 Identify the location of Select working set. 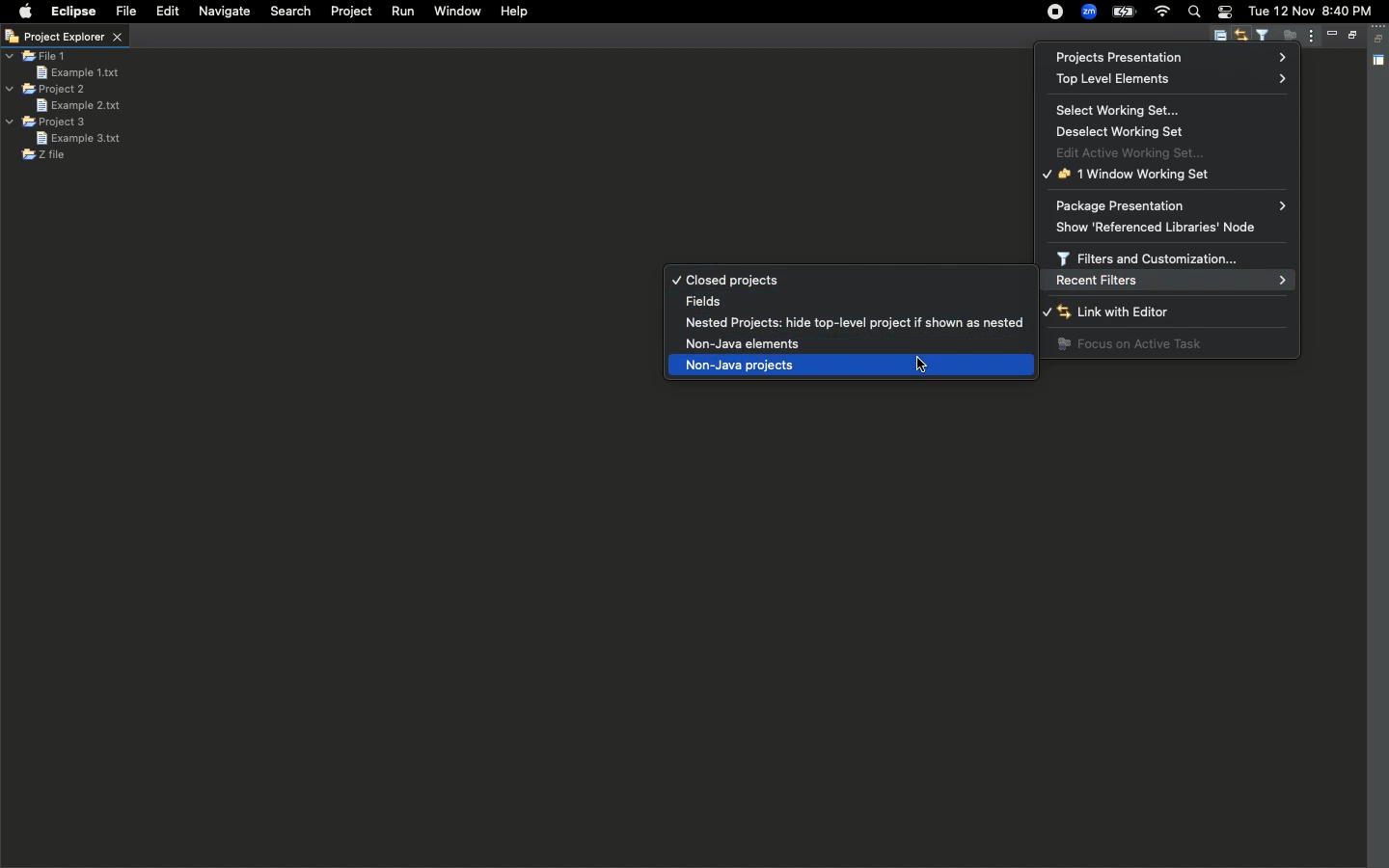
(1122, 110).